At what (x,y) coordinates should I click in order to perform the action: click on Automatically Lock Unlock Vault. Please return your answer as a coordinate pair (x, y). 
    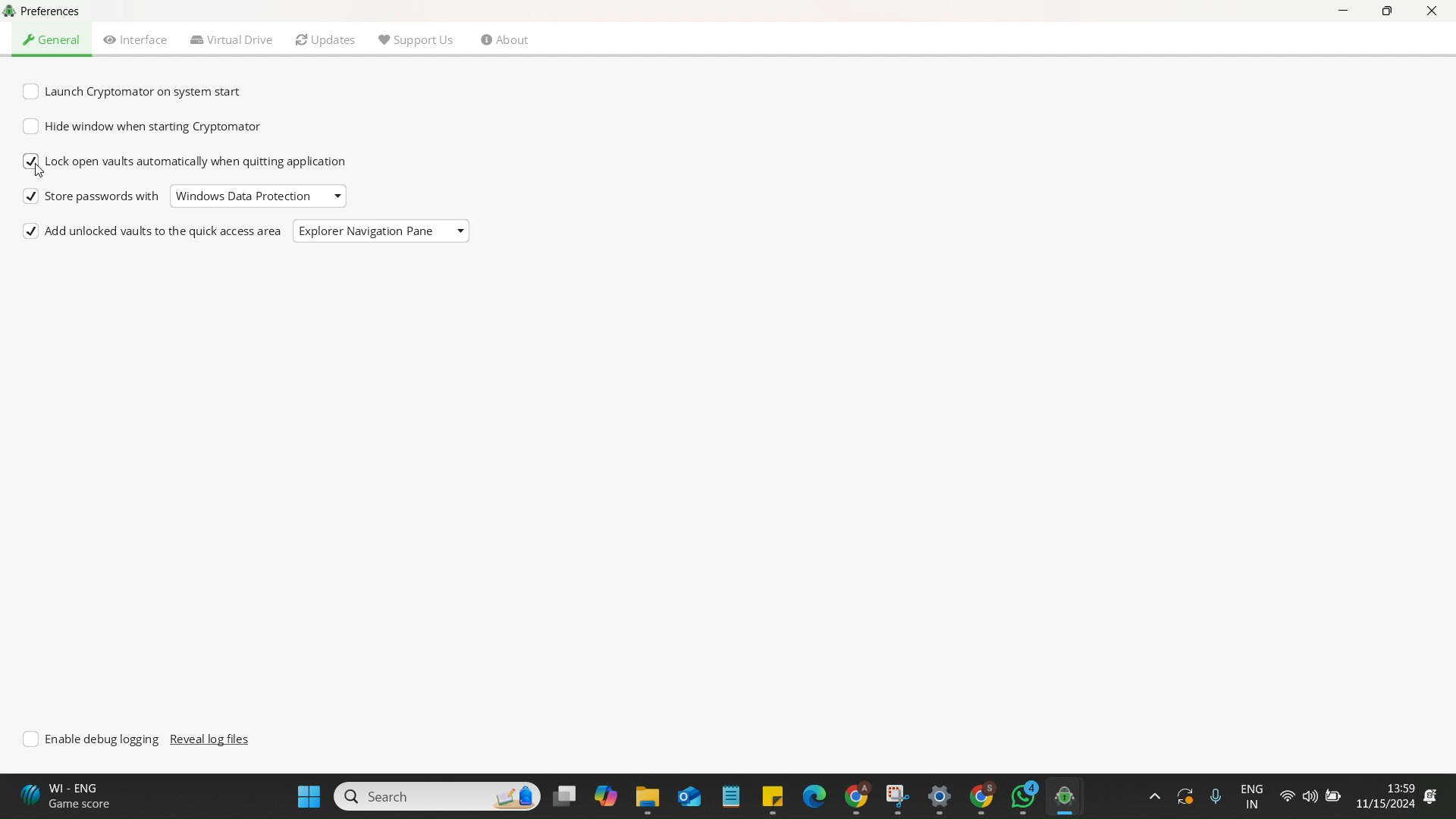
    Looking at the image, I should click on (187, 163).